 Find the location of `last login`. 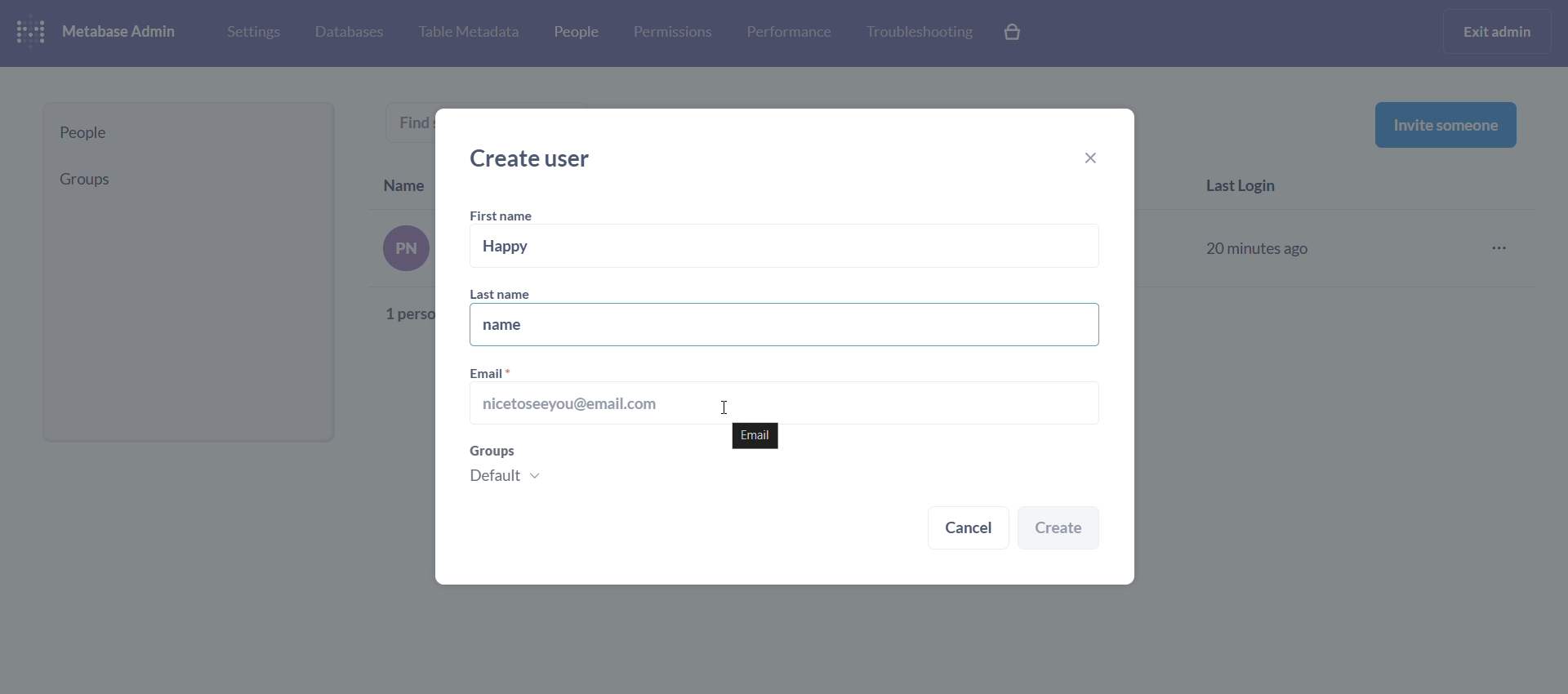

last login is located at coordinates (1249, 188).